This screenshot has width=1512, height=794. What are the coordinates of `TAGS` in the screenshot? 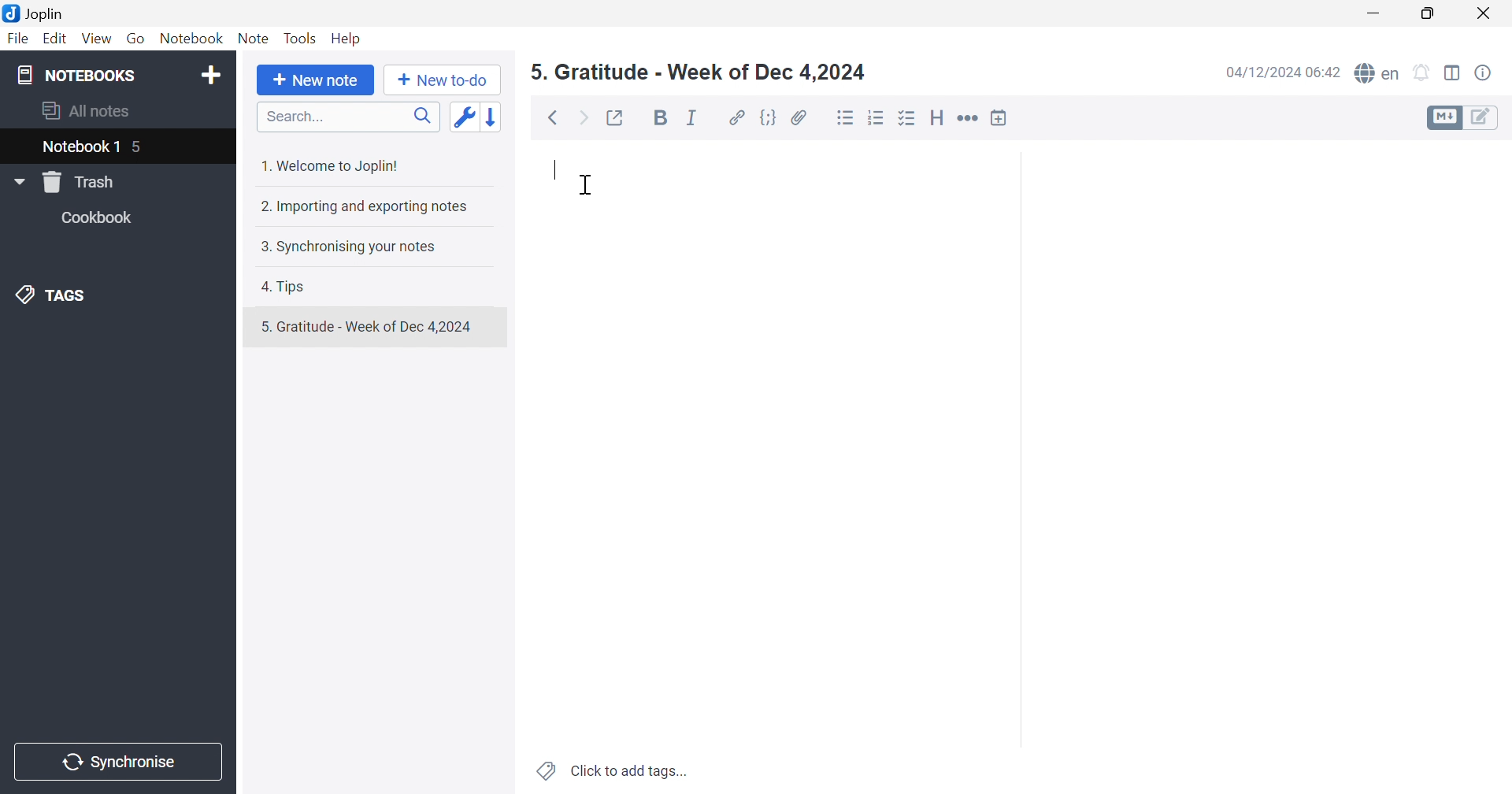 It's located at (59, 295).